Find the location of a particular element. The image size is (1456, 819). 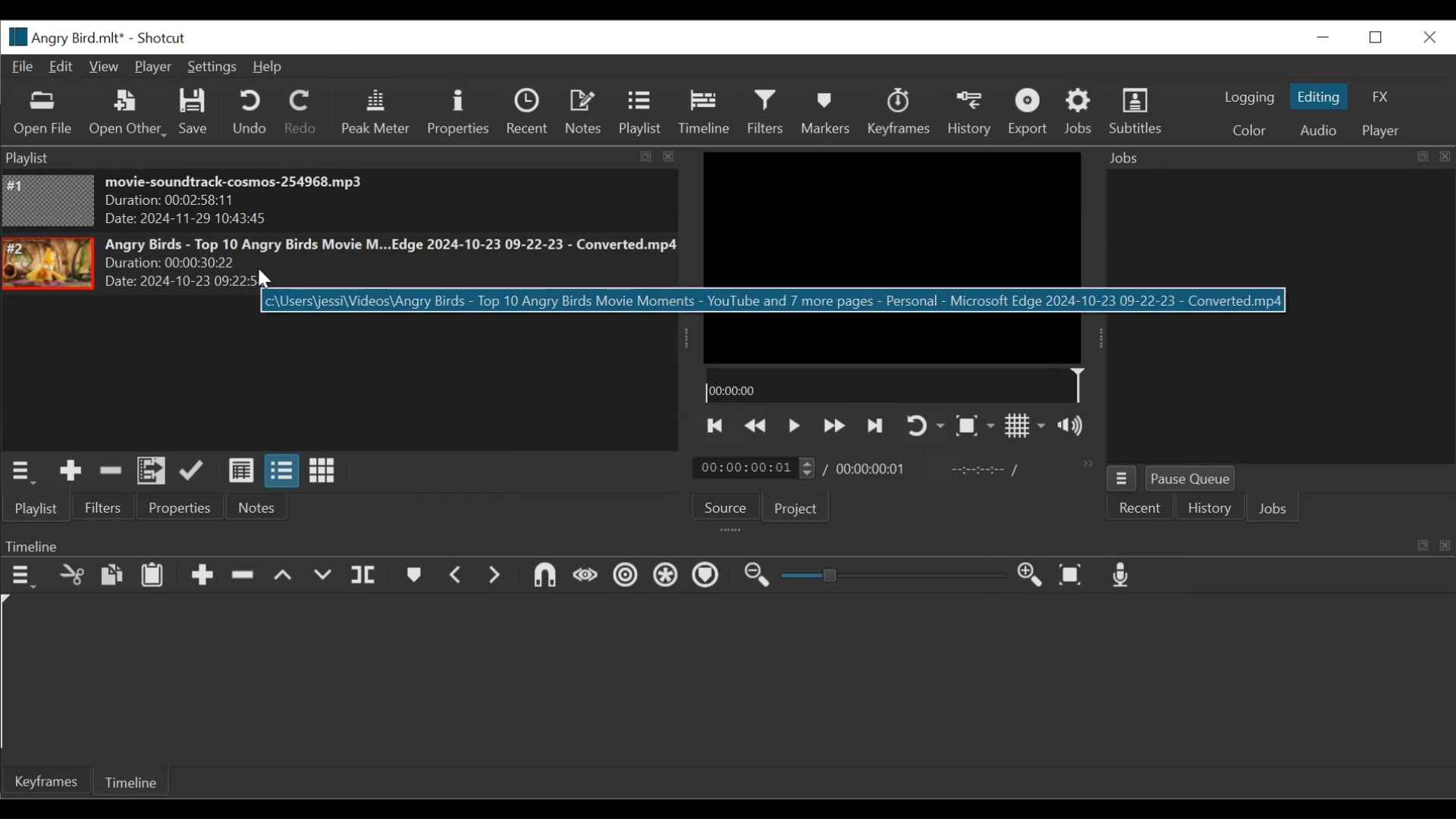

Redo is located at coordinates (303, 112).